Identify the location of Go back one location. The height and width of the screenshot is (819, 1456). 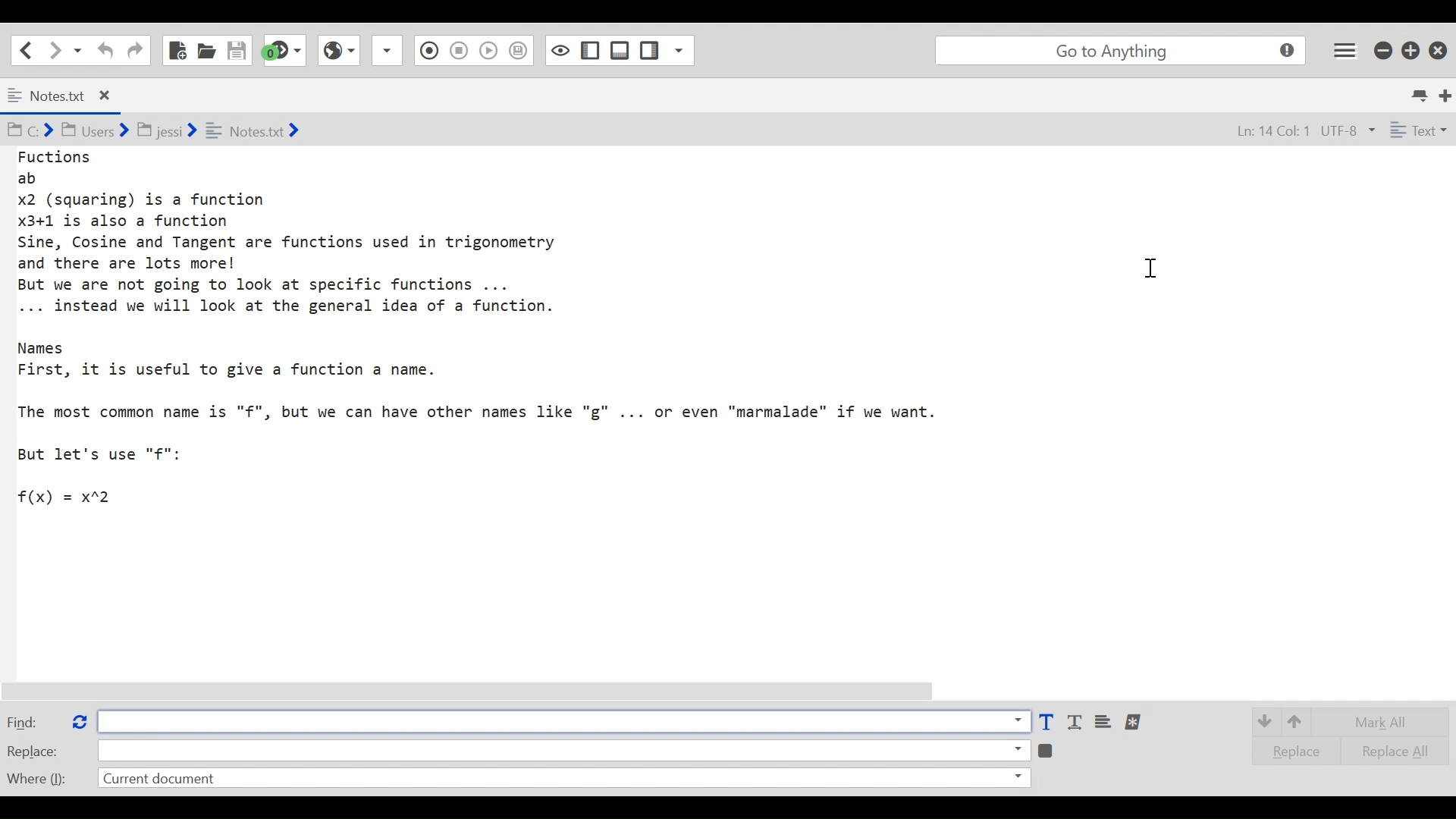
(22, 49).